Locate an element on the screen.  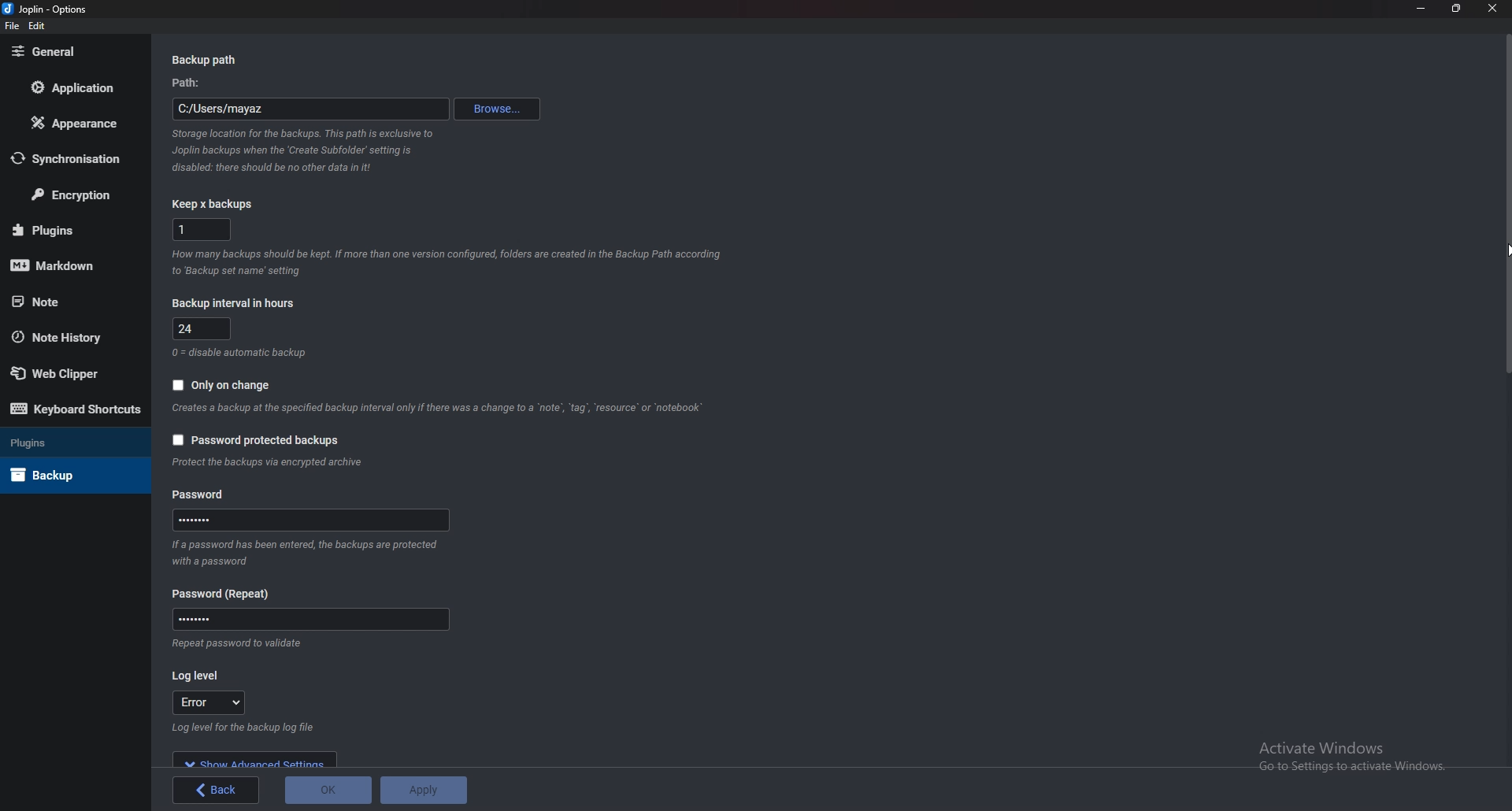
Encryption is located at coordinates (73, 194).